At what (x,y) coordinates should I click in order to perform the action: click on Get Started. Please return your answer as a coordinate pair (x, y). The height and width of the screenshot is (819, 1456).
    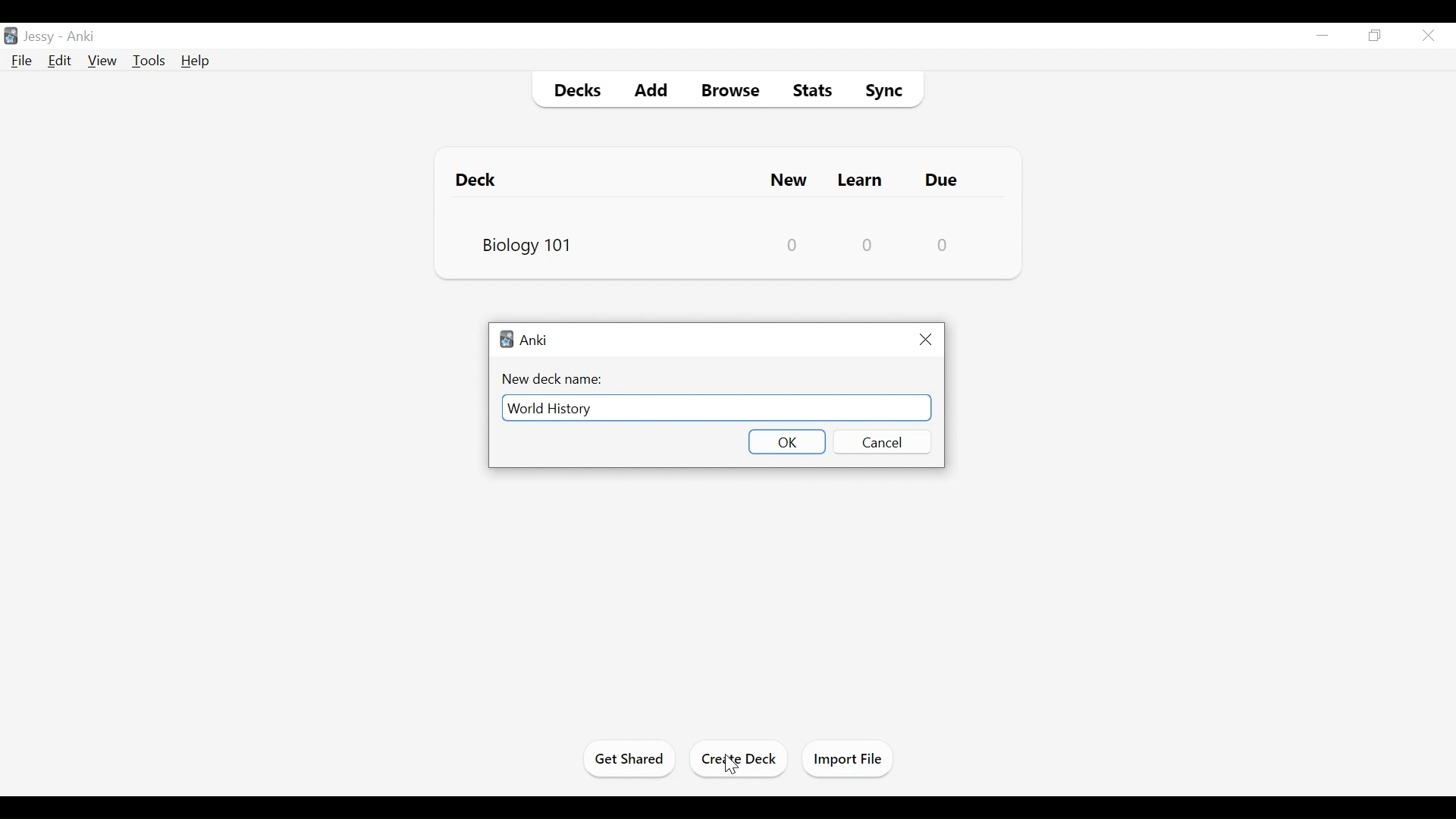
    Looking at the image, I should click on (632, 760).